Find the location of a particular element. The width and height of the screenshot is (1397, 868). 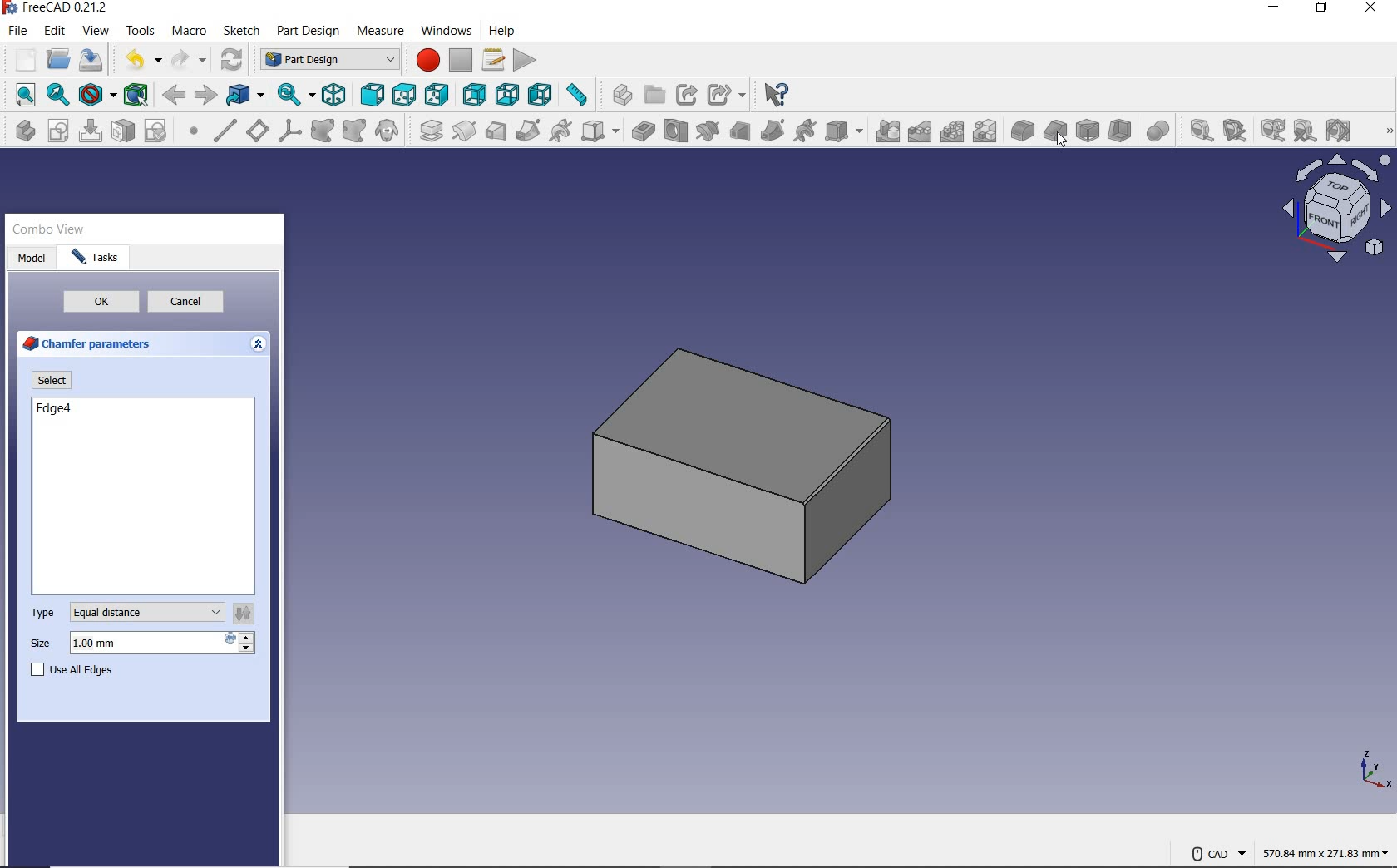

right is located at coordinates (437, 96).